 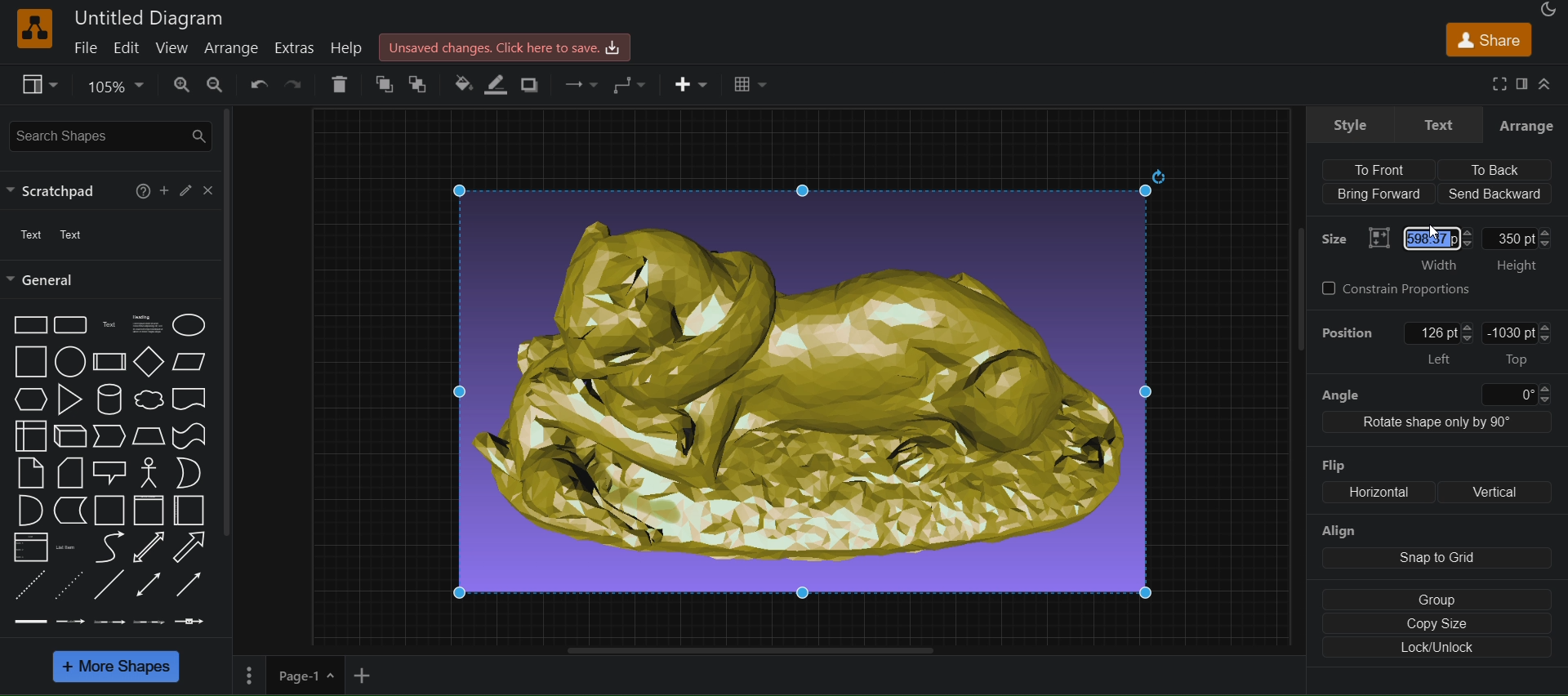 What do you see at coordinates (1546, 86) in the screenshot?
I see `Collapse/ Expand` at bounding box center [1546, 86].